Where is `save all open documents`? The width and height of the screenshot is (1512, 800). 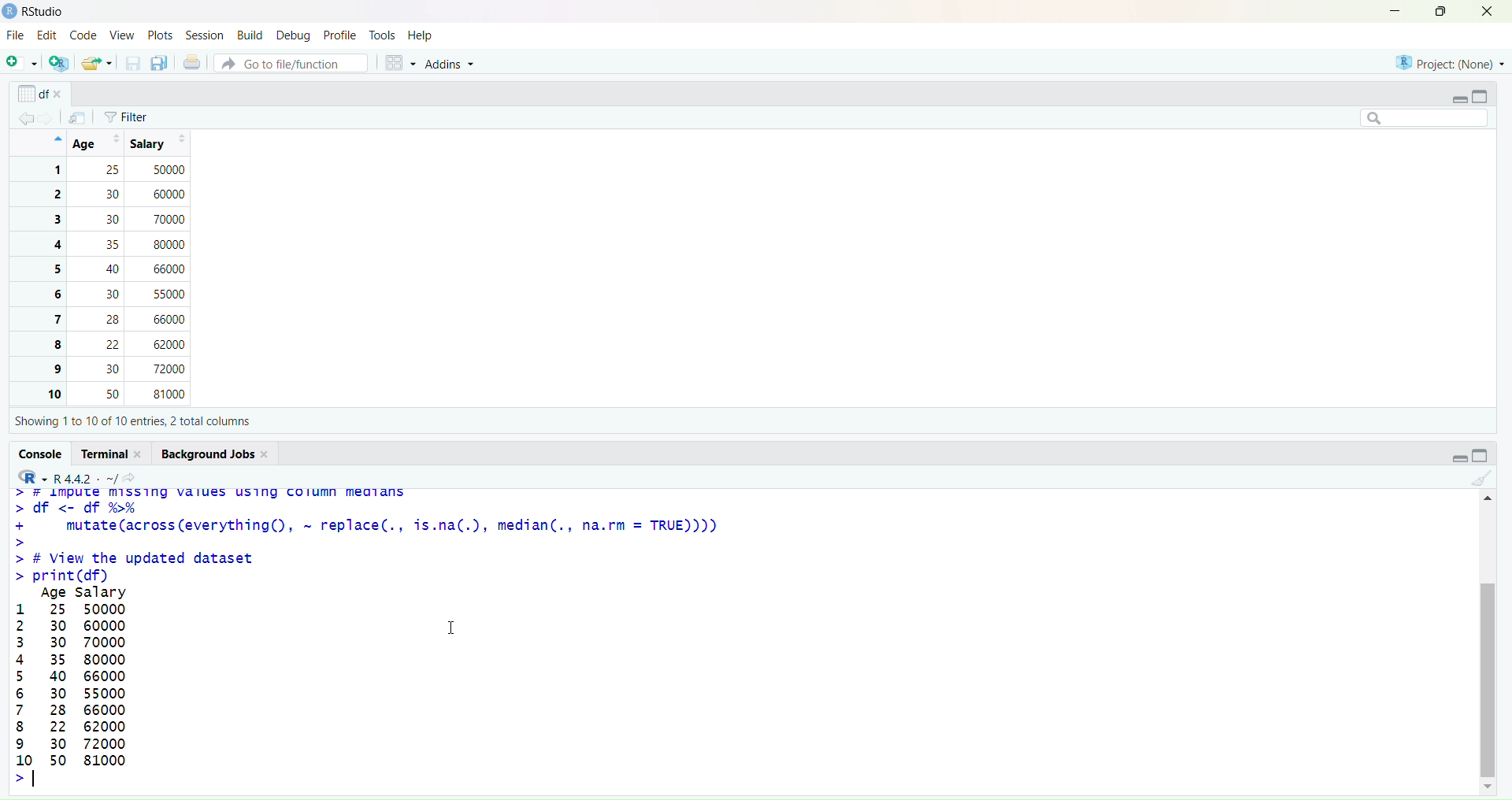
save all open documents is located at coordinates (160, 64).